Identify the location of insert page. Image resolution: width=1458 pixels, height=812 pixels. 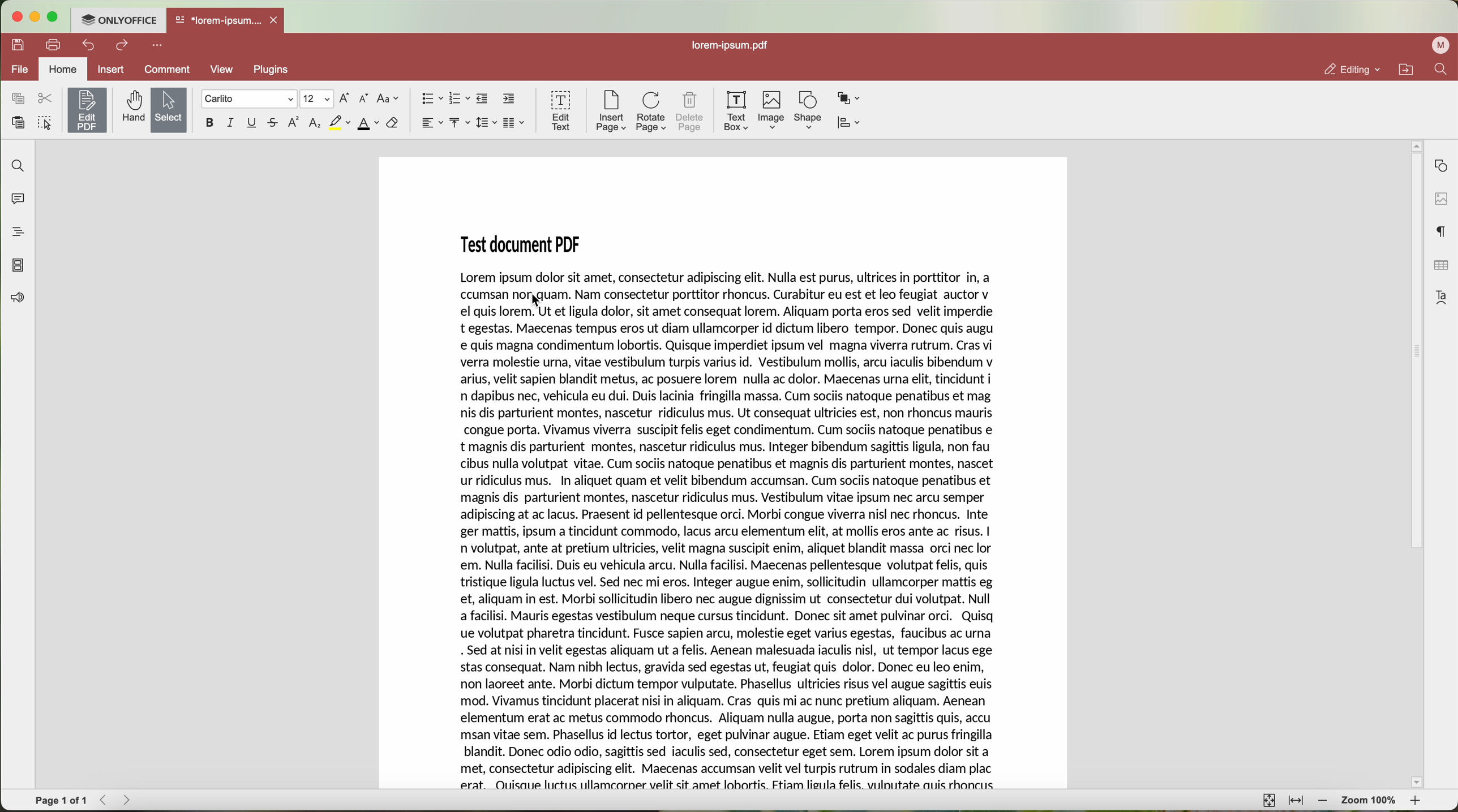
(612, 112).